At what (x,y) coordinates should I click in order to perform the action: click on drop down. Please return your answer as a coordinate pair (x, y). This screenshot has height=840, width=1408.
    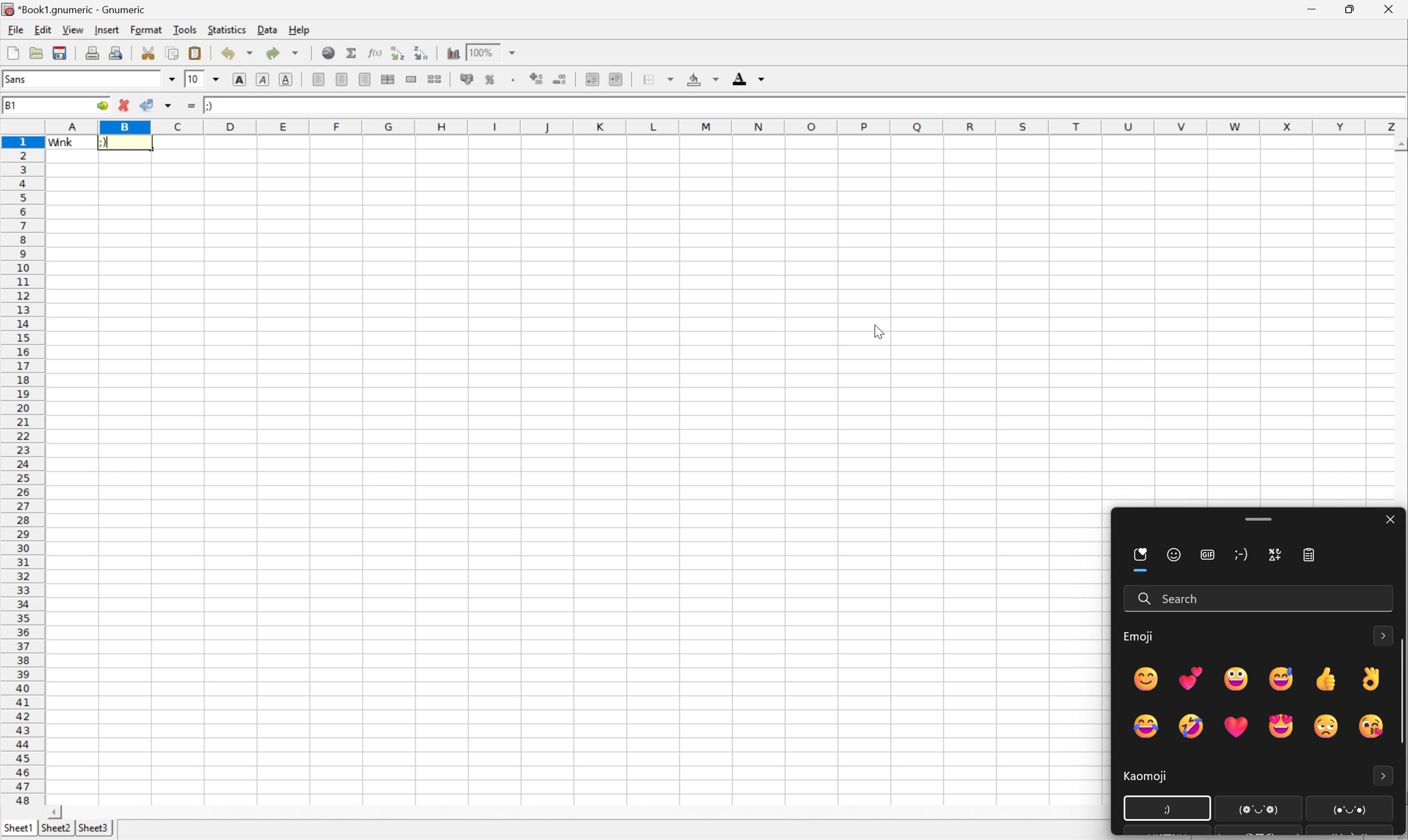
    Looking at the image, I should click on (216, 78).